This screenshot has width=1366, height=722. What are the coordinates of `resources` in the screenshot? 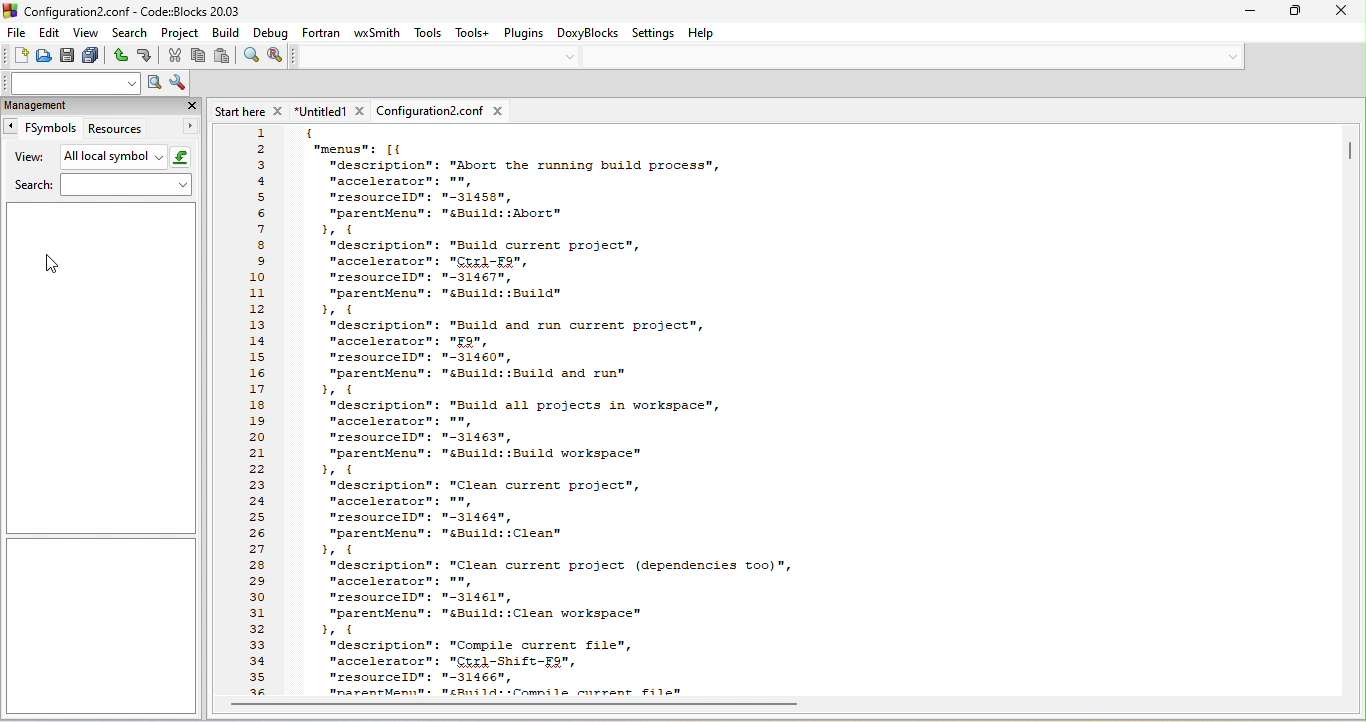 It's located at (143, 128).